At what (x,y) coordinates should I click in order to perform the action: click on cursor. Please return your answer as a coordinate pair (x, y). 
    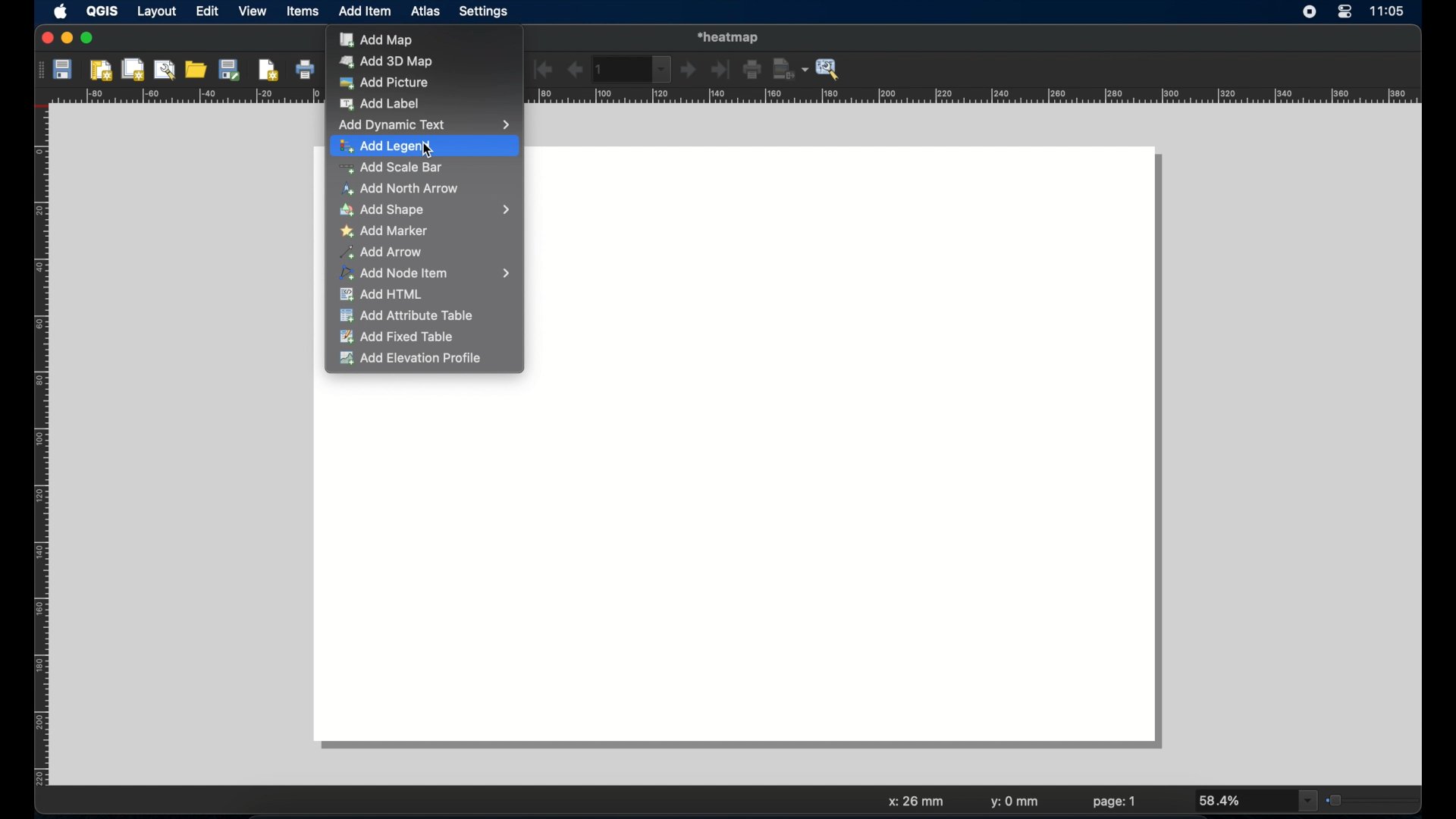
    Looking at the image, I should click on (422, 151).